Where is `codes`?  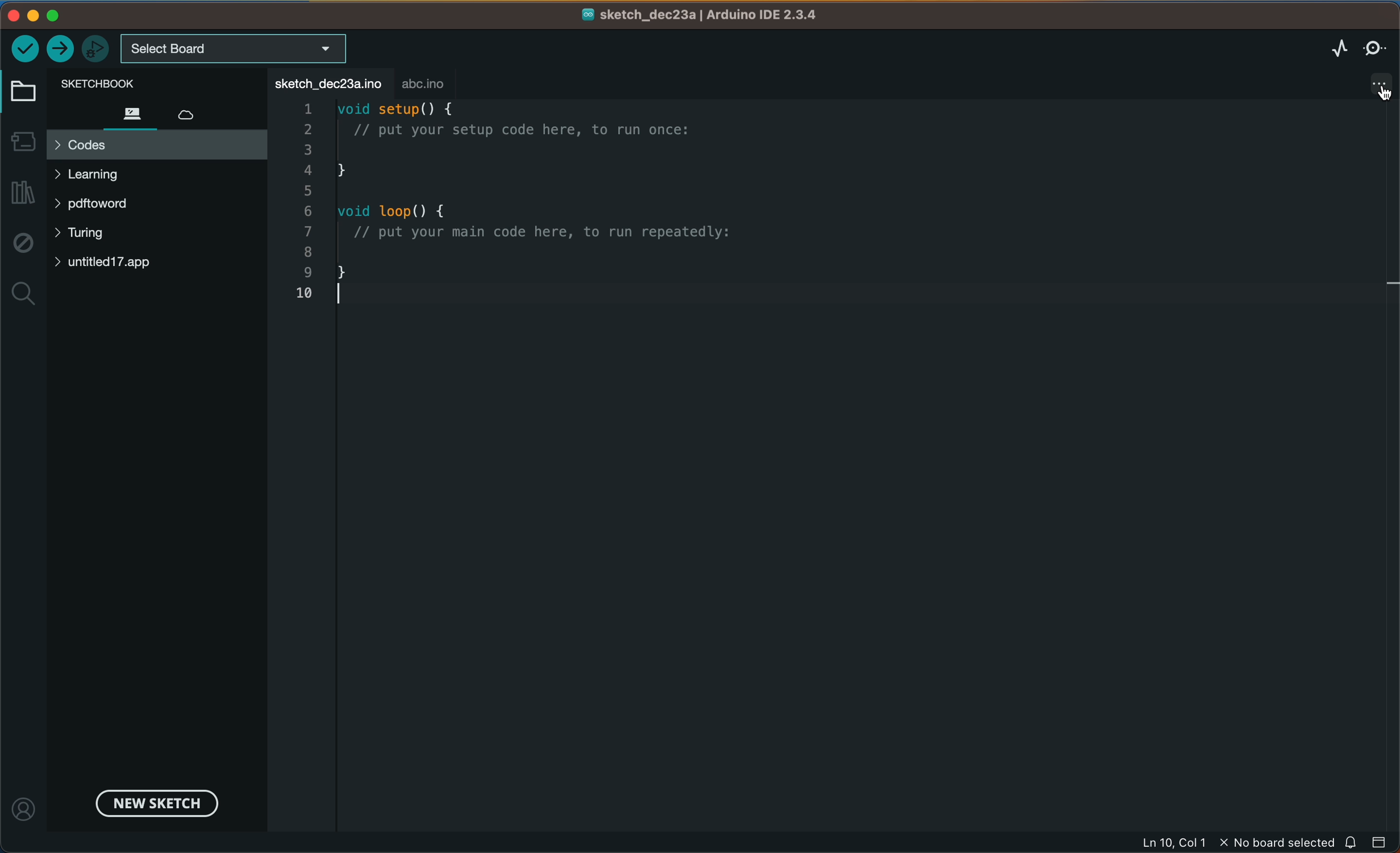 codes is located at coordinates (155, 142).